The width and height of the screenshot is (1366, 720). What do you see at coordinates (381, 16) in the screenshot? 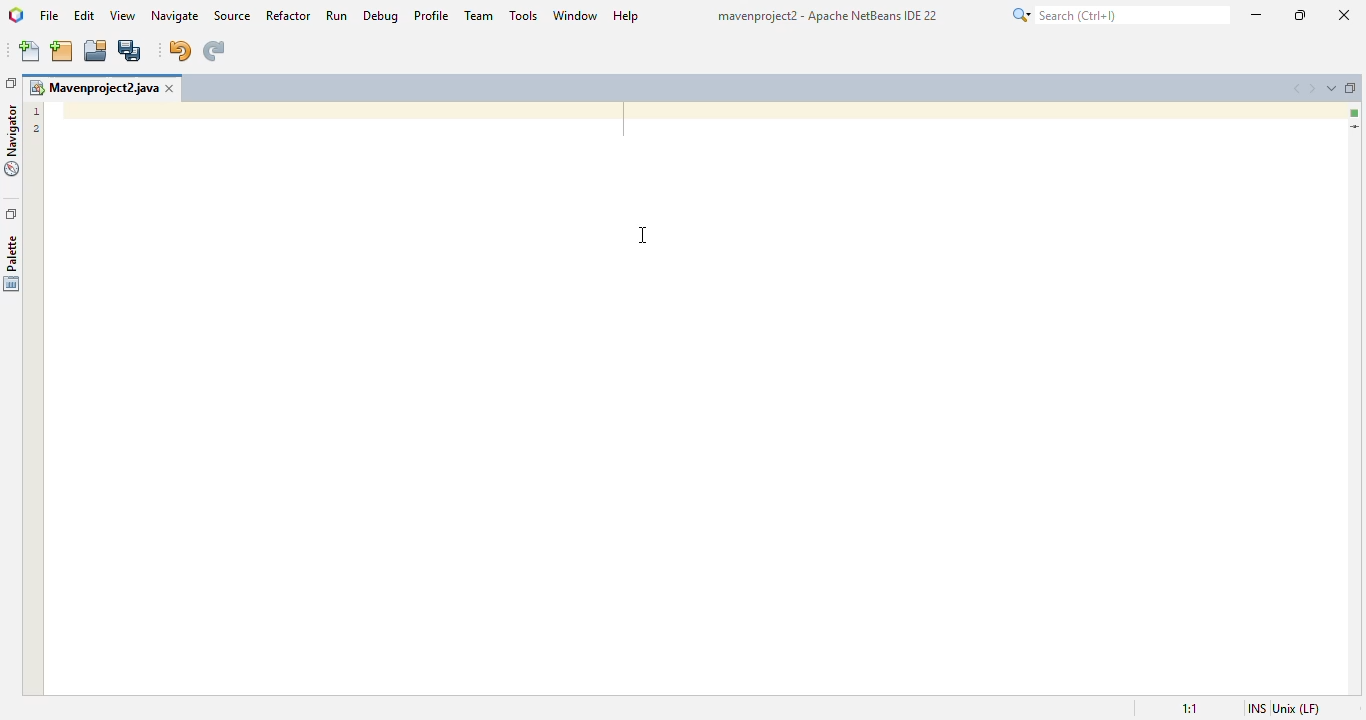
I see `debug` at bounding box center [381, 16].